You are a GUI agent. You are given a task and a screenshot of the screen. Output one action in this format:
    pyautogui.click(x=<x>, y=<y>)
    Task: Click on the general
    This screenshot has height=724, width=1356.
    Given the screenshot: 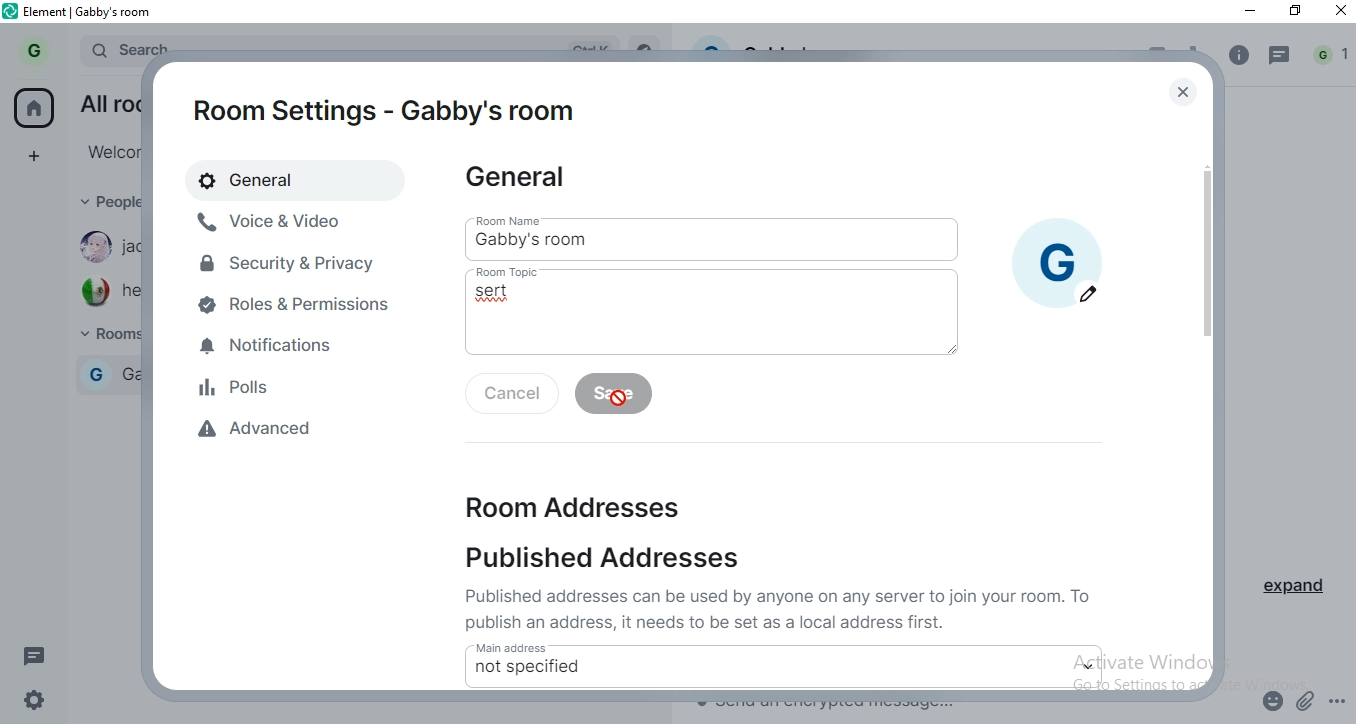 What is the action you would take?
    pyautogui.click(x=524, y=182)
    